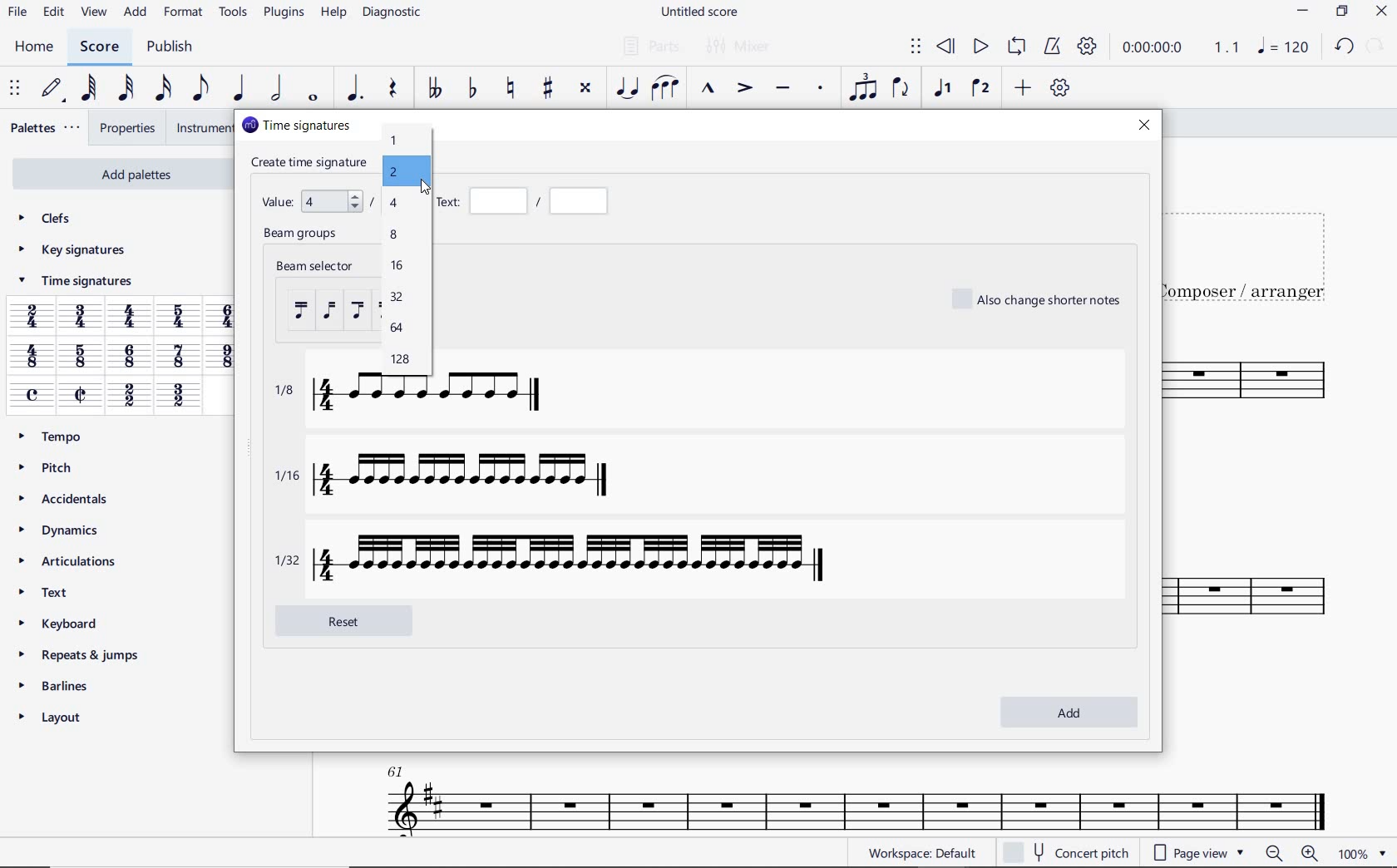 The image size is (1397, 868). Describe the element at coordinates (82, 318) in the screenshot. I see `3/4` at that location.